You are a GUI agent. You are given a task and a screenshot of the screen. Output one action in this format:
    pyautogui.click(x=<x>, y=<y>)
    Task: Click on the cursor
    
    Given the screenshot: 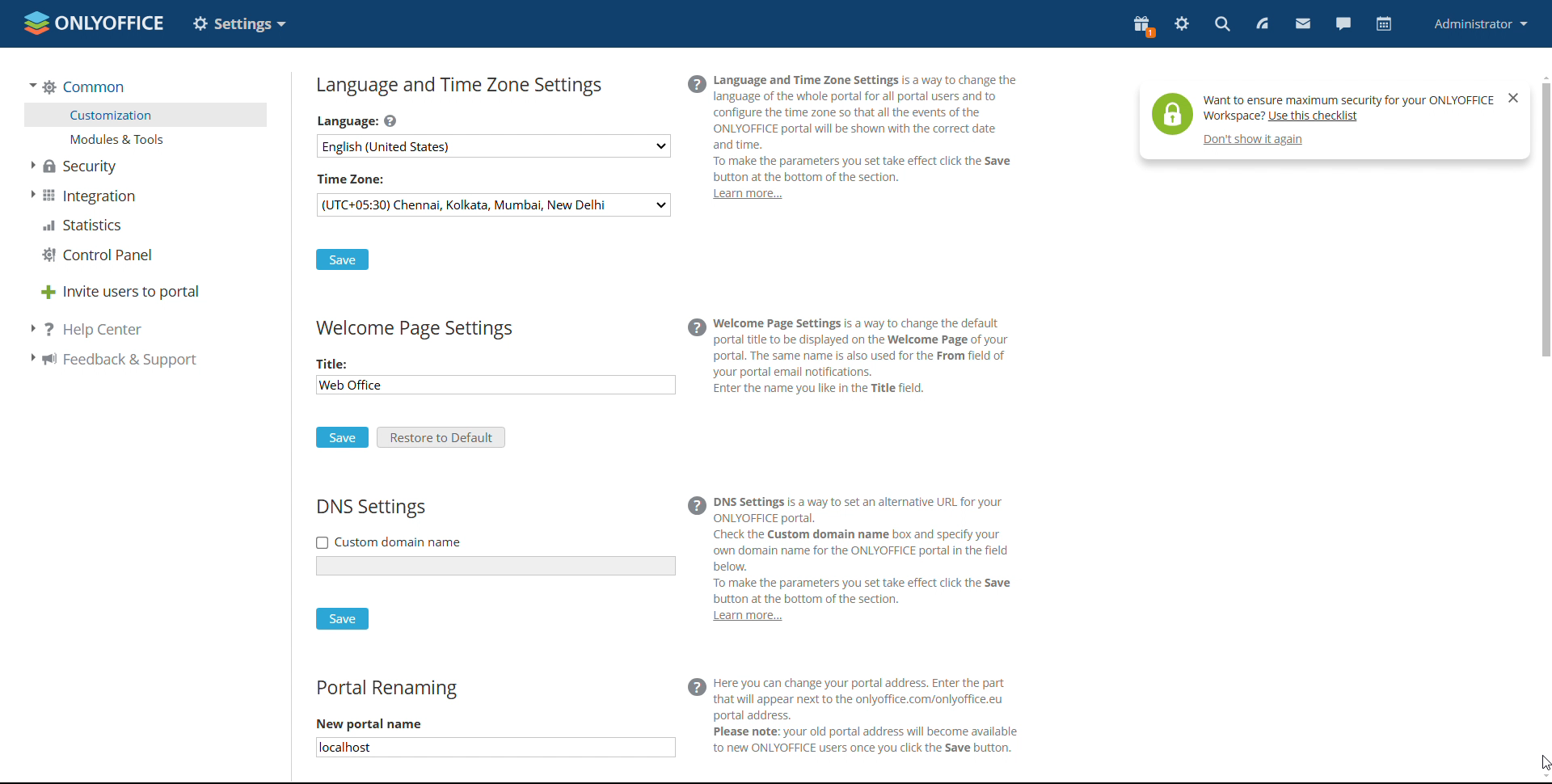 What is the action you would take?
    pyautogui.click(x=1518, y=763)
    